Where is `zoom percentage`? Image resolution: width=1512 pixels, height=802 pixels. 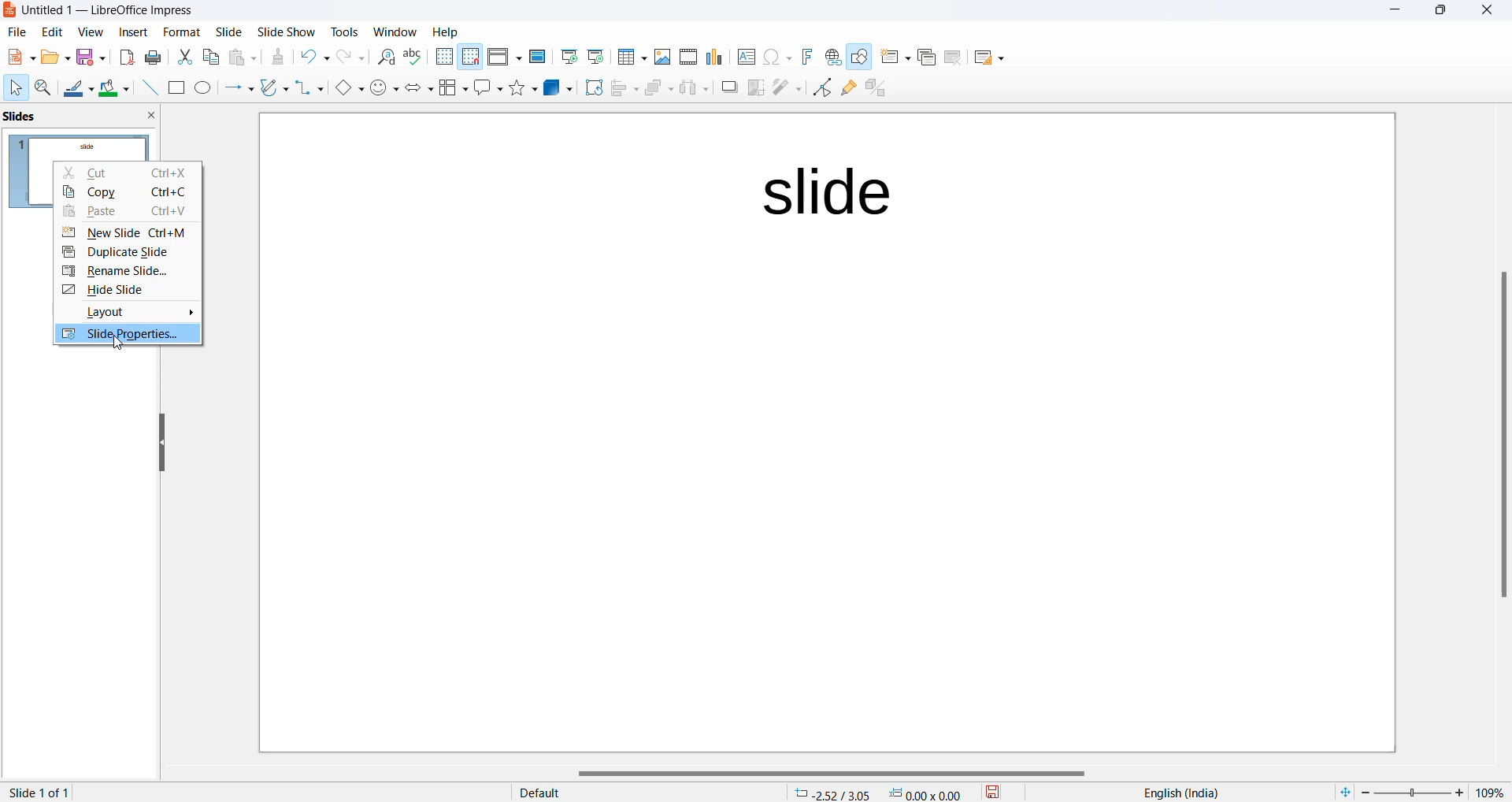
zoom percentage is located at coordinates (1492, 792).